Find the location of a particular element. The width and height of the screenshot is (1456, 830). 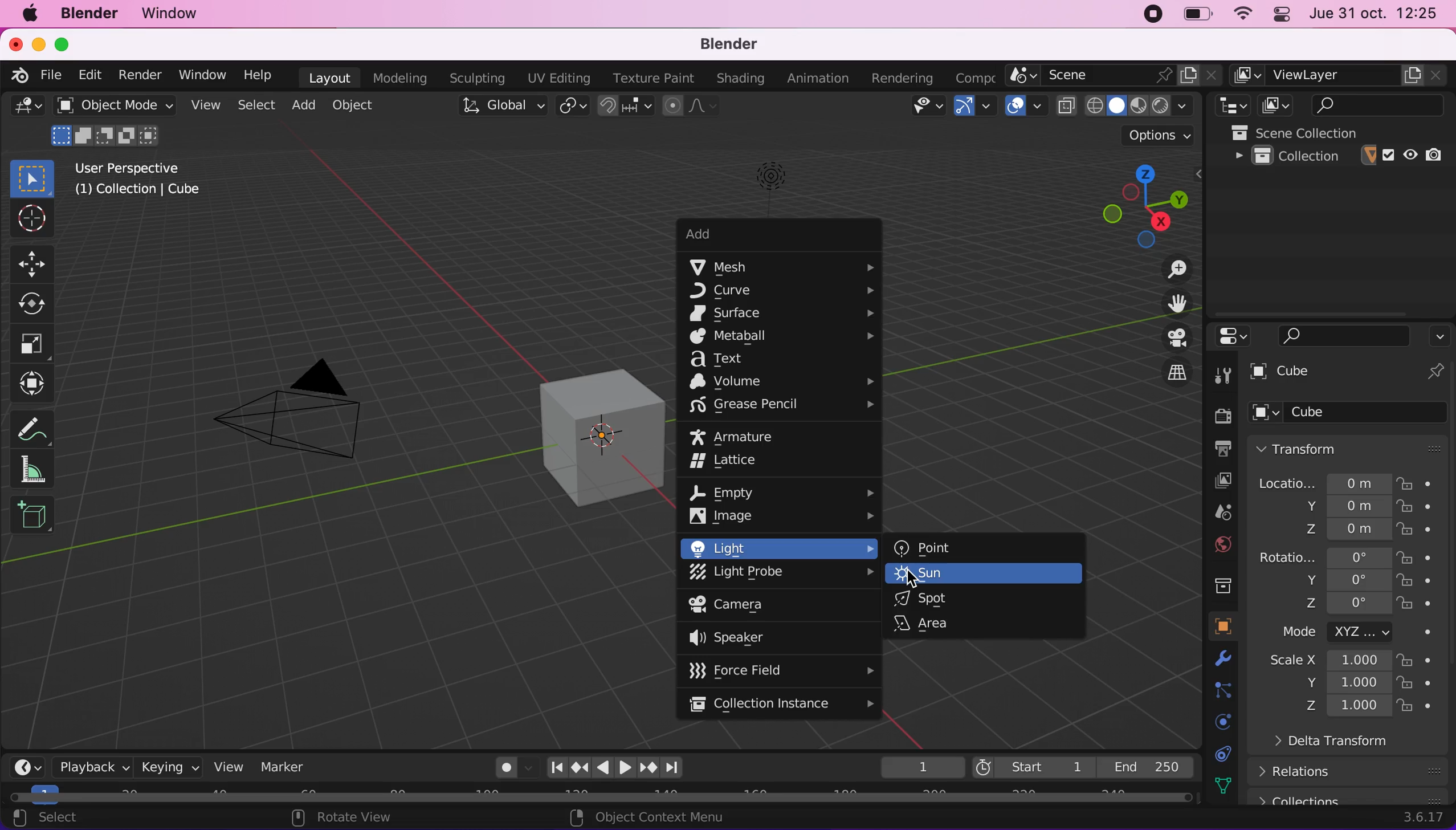

collection instance is located at coordinates (782, 705).